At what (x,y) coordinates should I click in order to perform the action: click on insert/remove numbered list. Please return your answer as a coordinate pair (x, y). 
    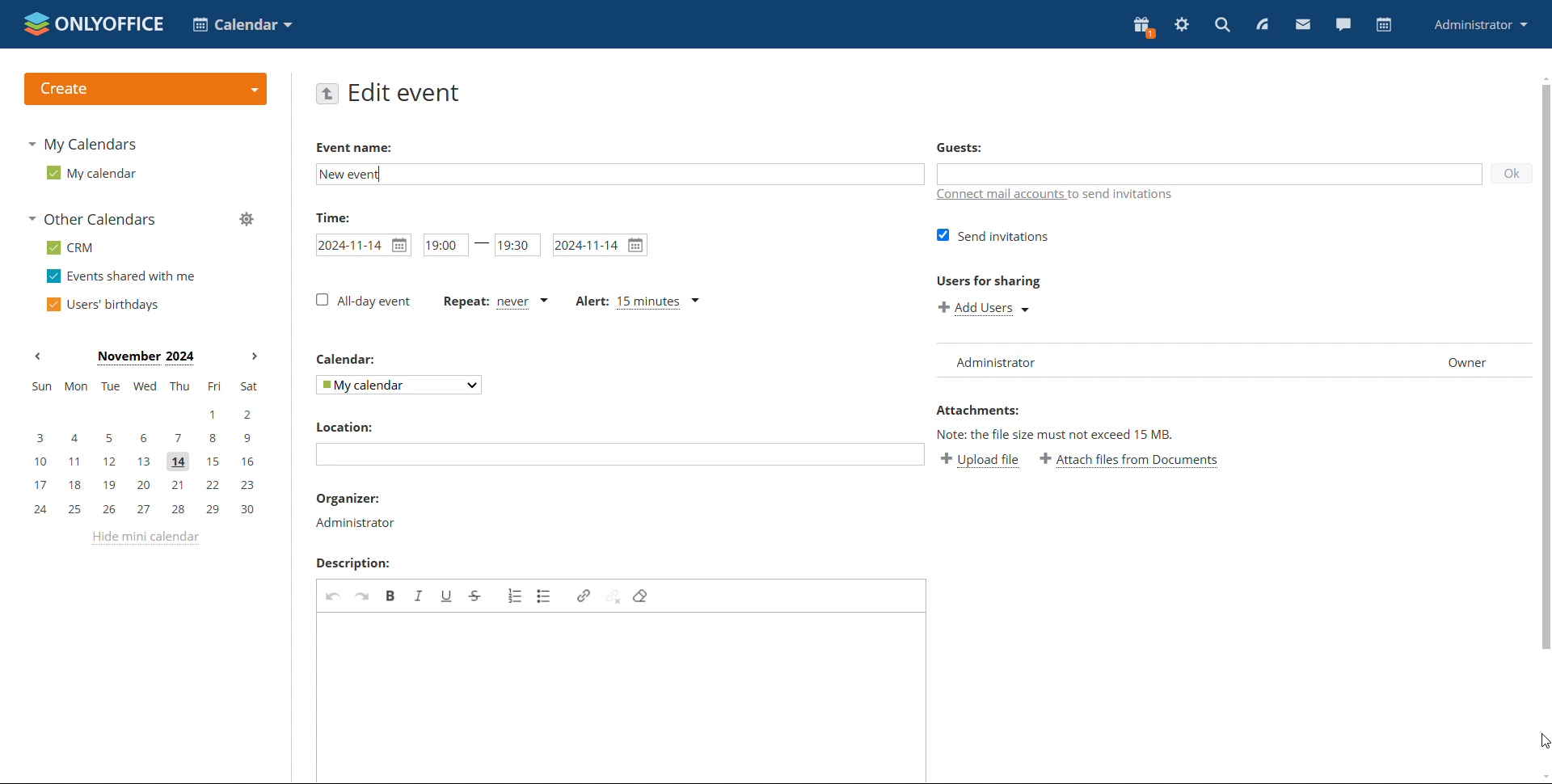
    Looking at the image, I should click on (516, 596).